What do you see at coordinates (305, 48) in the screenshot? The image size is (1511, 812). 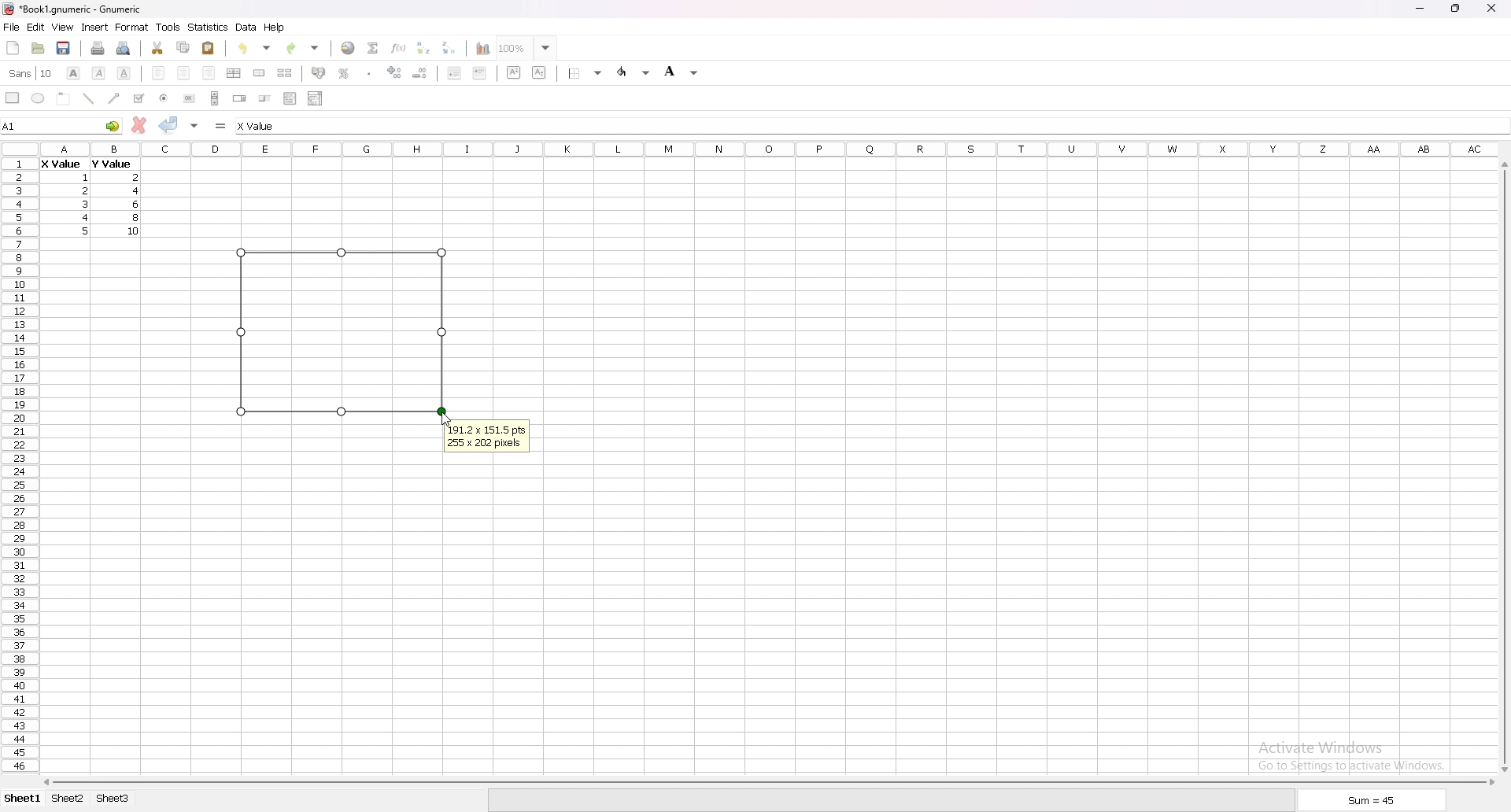 I see `redo` at bounding box center [305, 48].